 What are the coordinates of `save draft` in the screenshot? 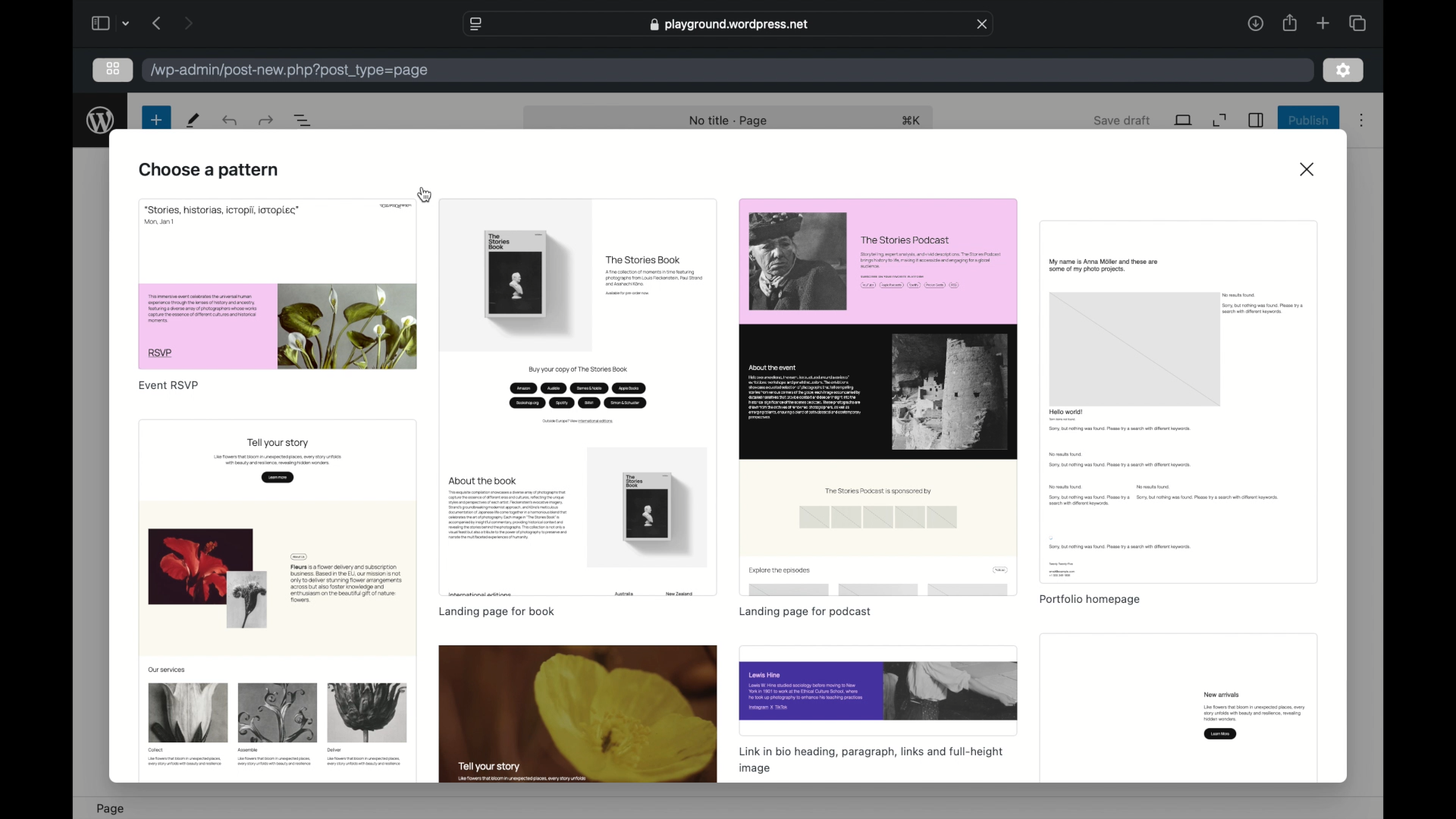 It's located at (1122, 120).